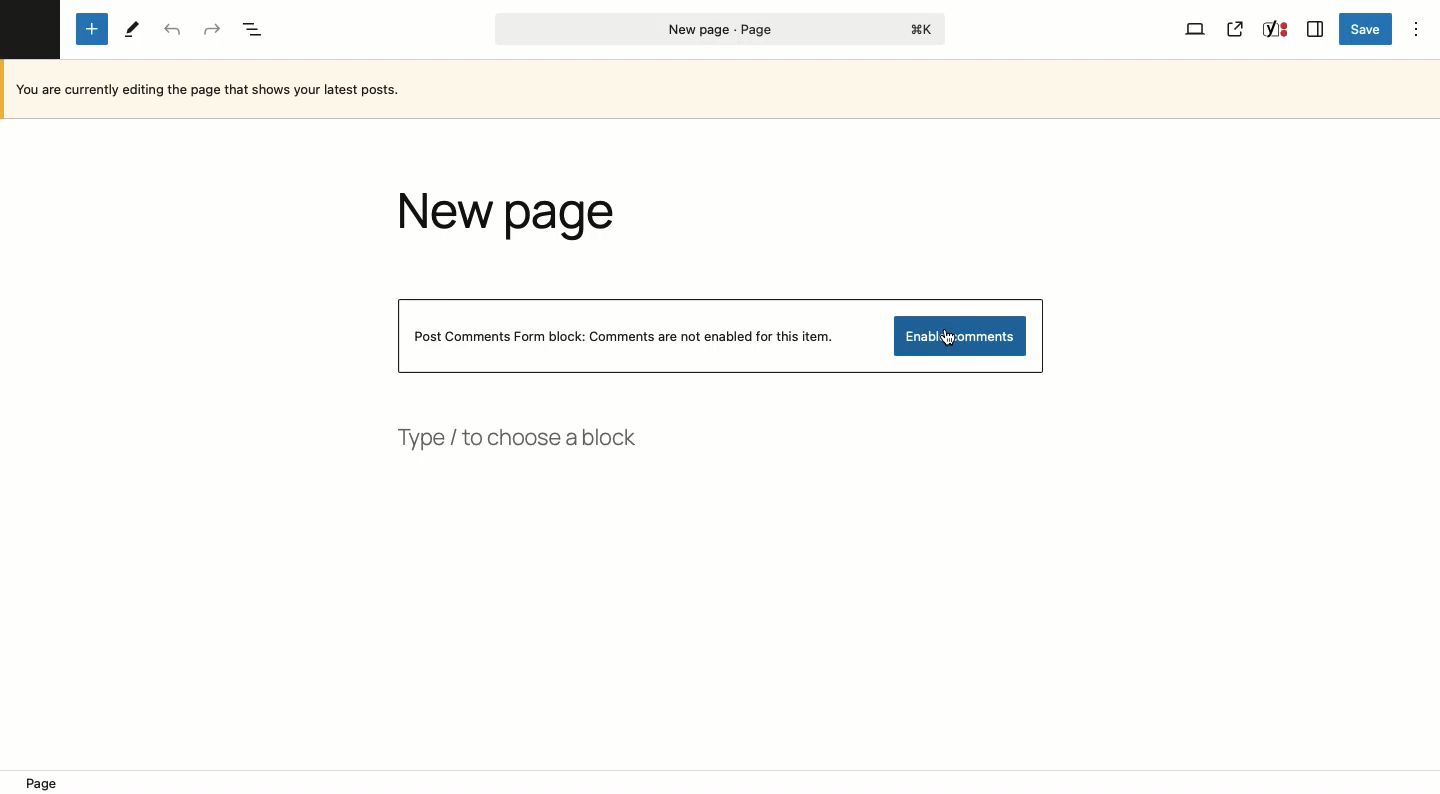  I want to click on Sidebar, so click(1318, 28).